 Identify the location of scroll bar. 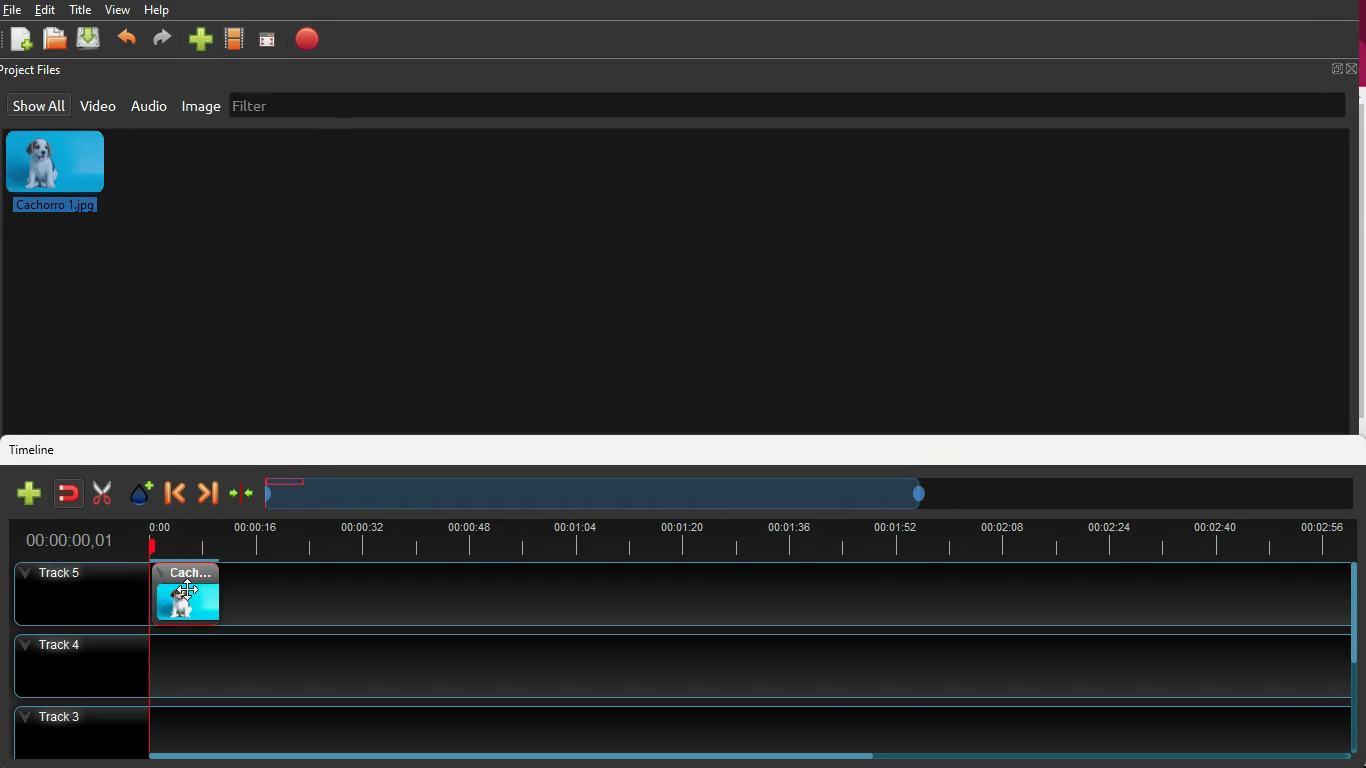
(512, 754).